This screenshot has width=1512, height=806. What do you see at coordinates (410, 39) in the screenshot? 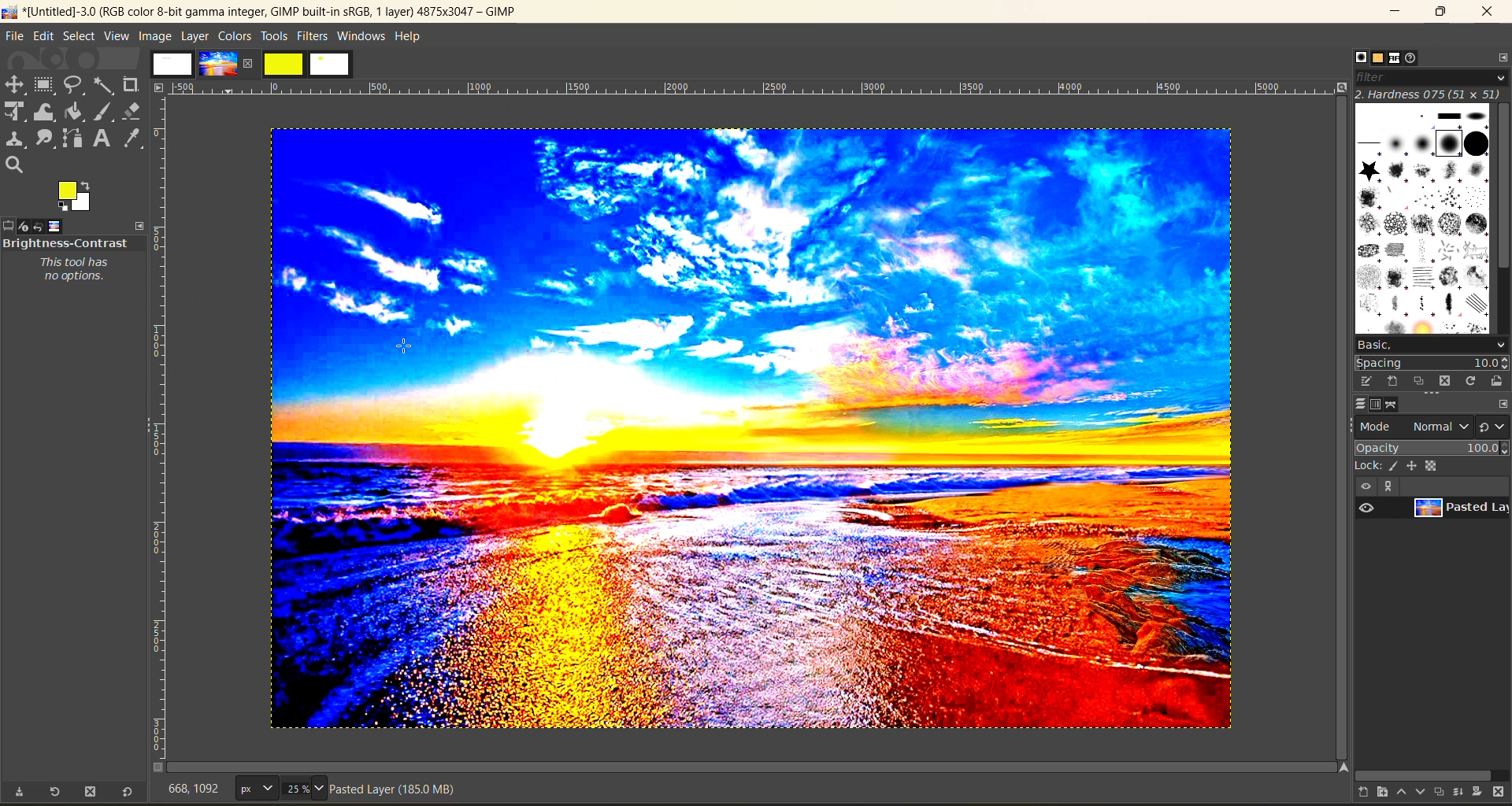
I see `help` at bounding box center [410, 39].